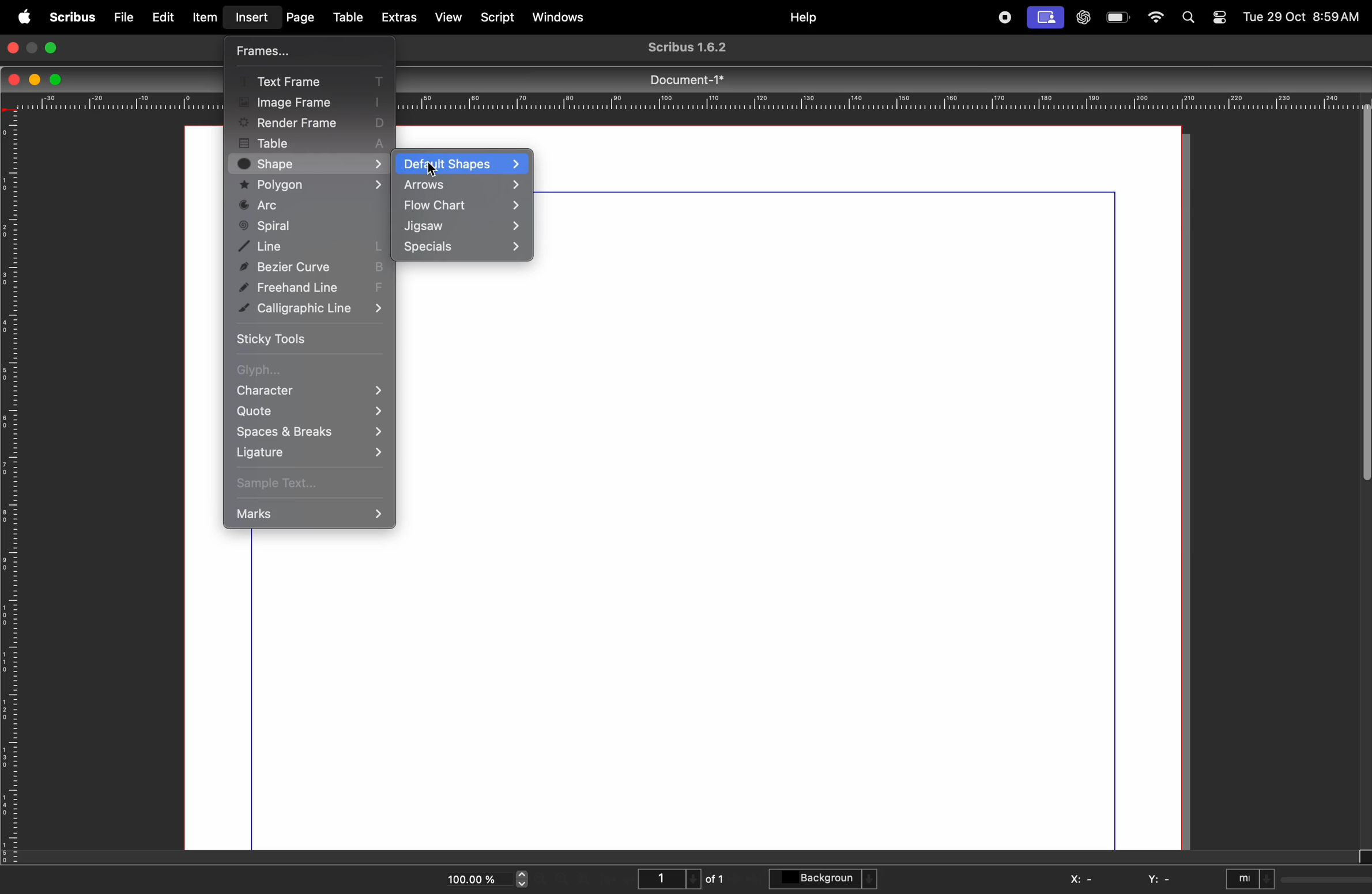 The image size is (1372, 894). What do you see at coordinates (311, 141) in the screenshot?
I see `table    A` at bounding box center [311, 141].